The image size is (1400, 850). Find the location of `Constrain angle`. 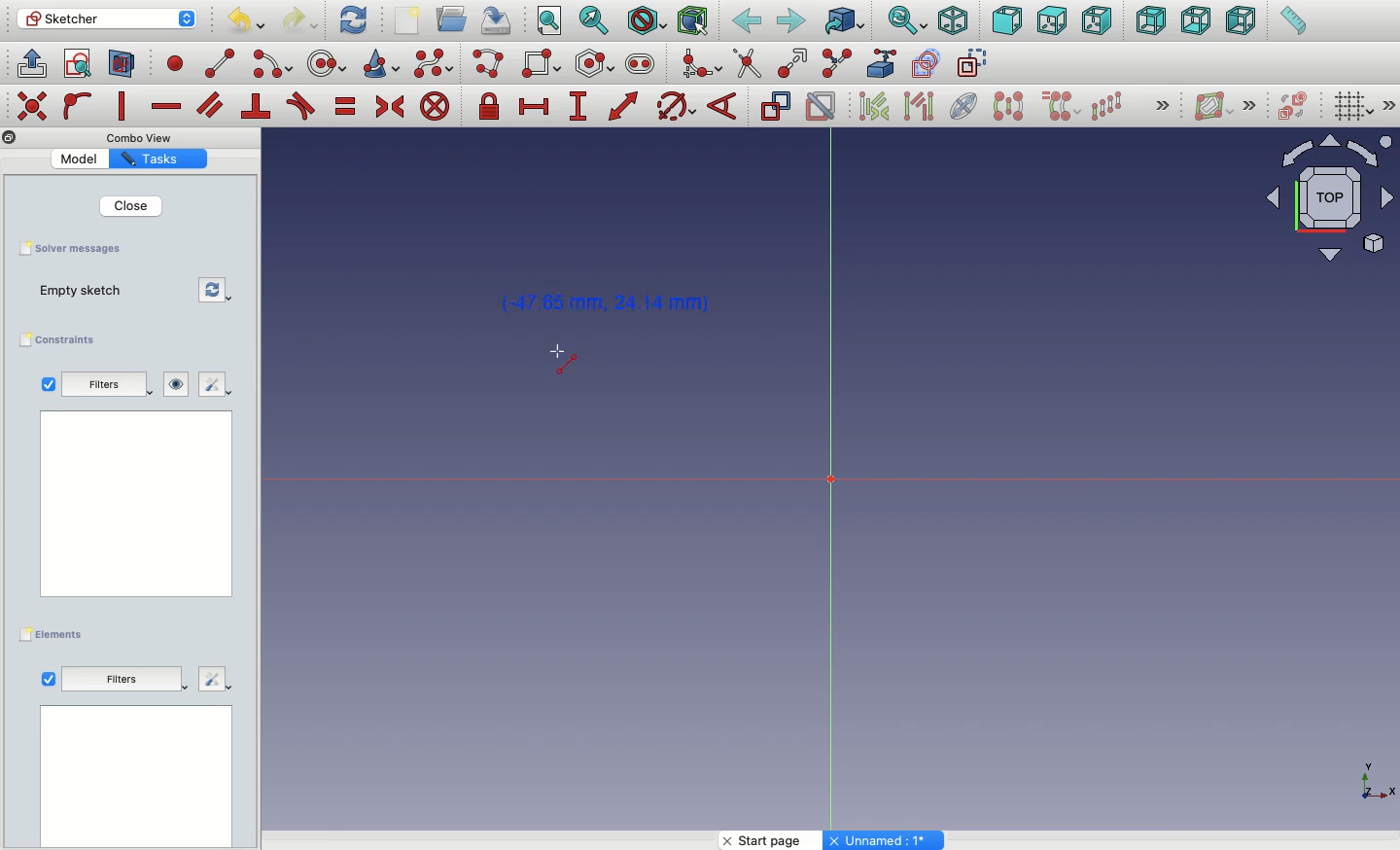

Constrain angle is located at coordinates (724, 106).